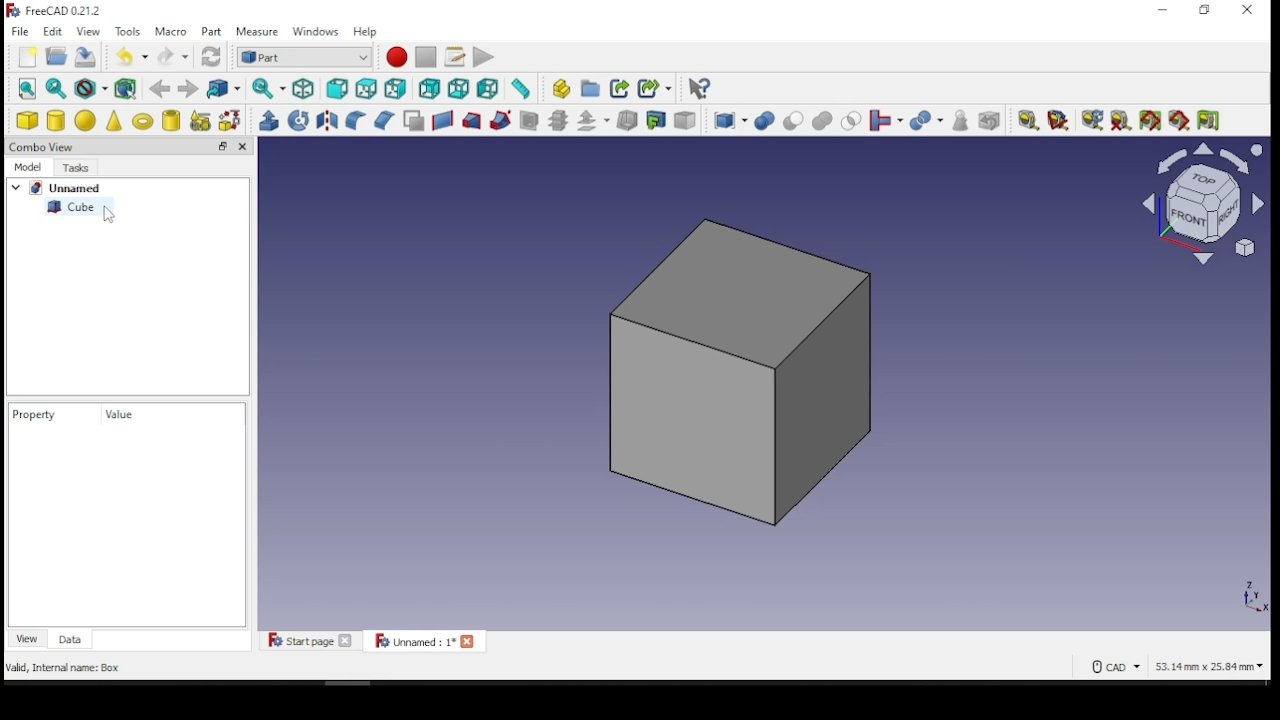 The height and width of the screenshot is (720, 1280). Describe the element at coordinates (173, 56) in the screenshot. I see `redo` at that location.